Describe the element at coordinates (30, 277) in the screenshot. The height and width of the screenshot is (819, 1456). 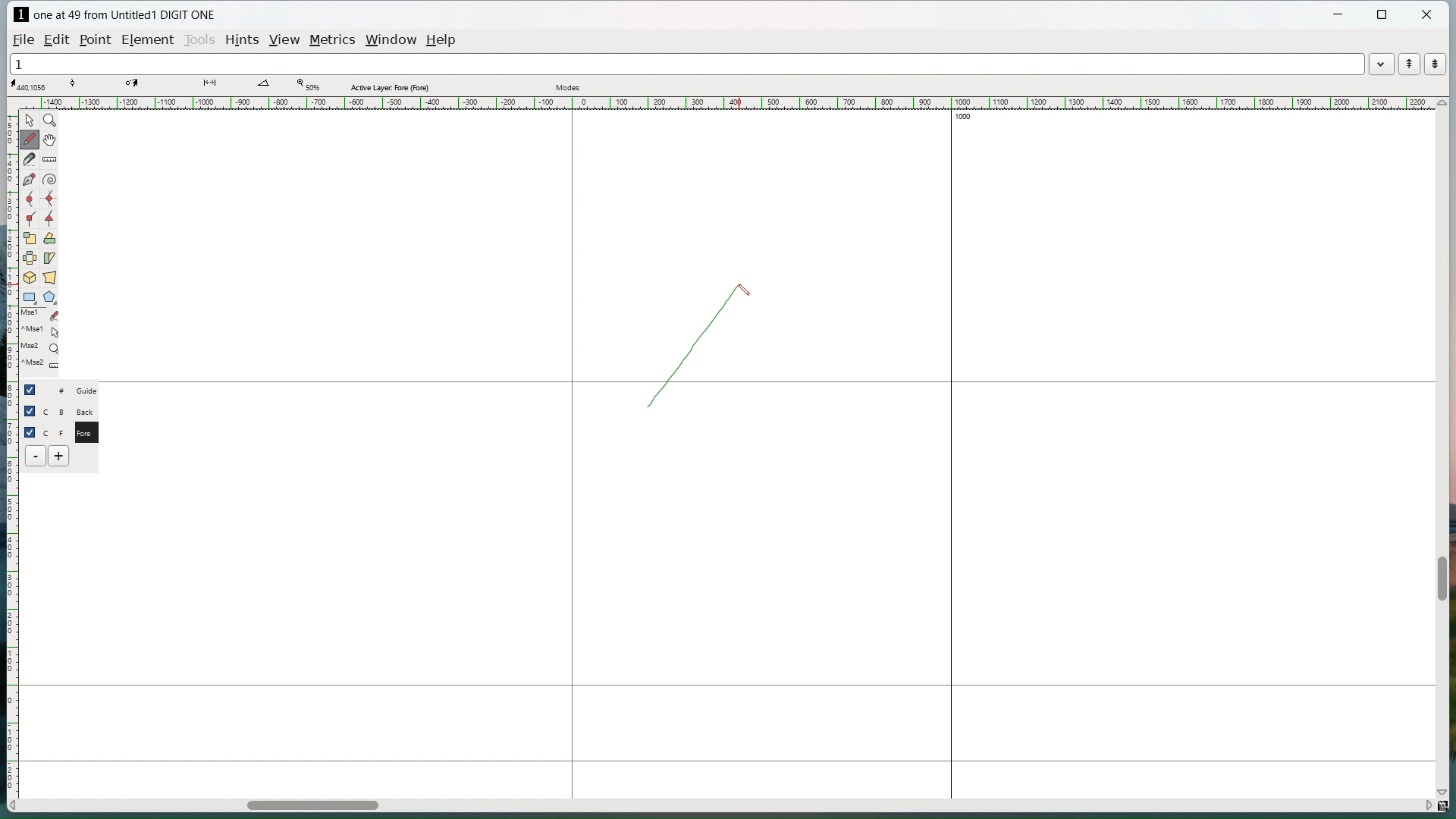
I see `rotate selection in 3d and project back to the place` at that location.